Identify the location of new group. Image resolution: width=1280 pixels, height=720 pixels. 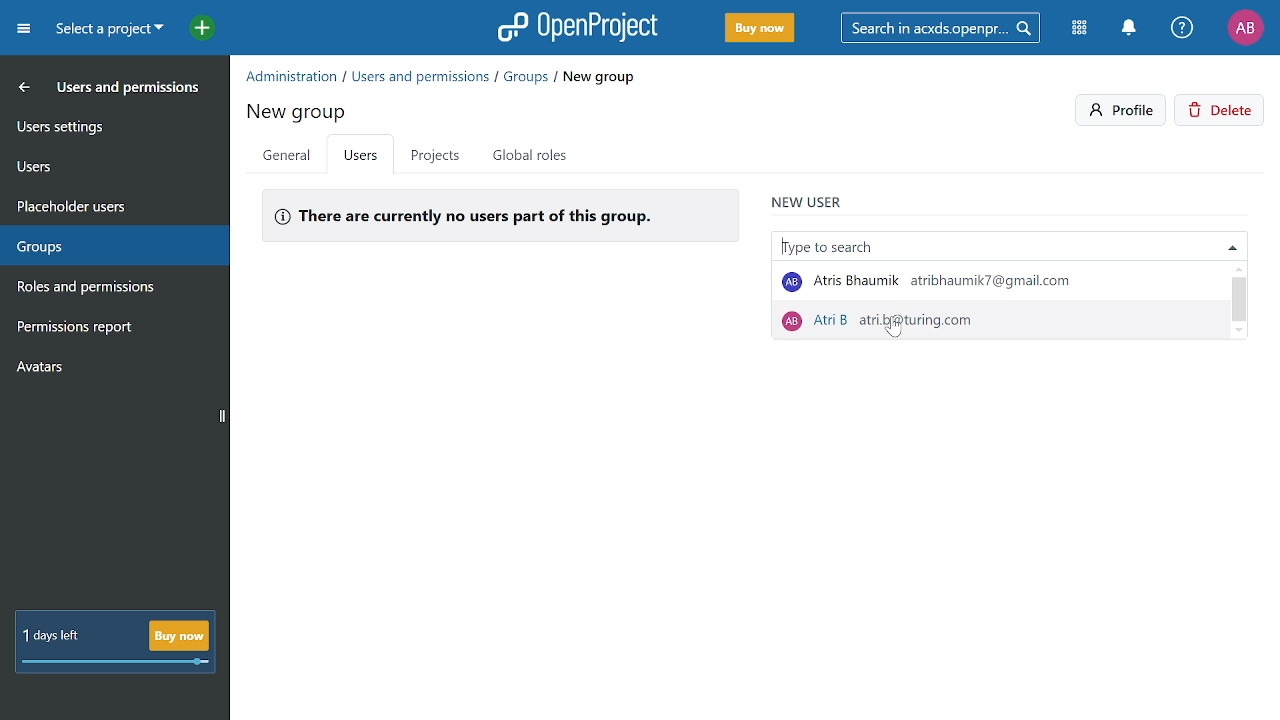
(299, 109).